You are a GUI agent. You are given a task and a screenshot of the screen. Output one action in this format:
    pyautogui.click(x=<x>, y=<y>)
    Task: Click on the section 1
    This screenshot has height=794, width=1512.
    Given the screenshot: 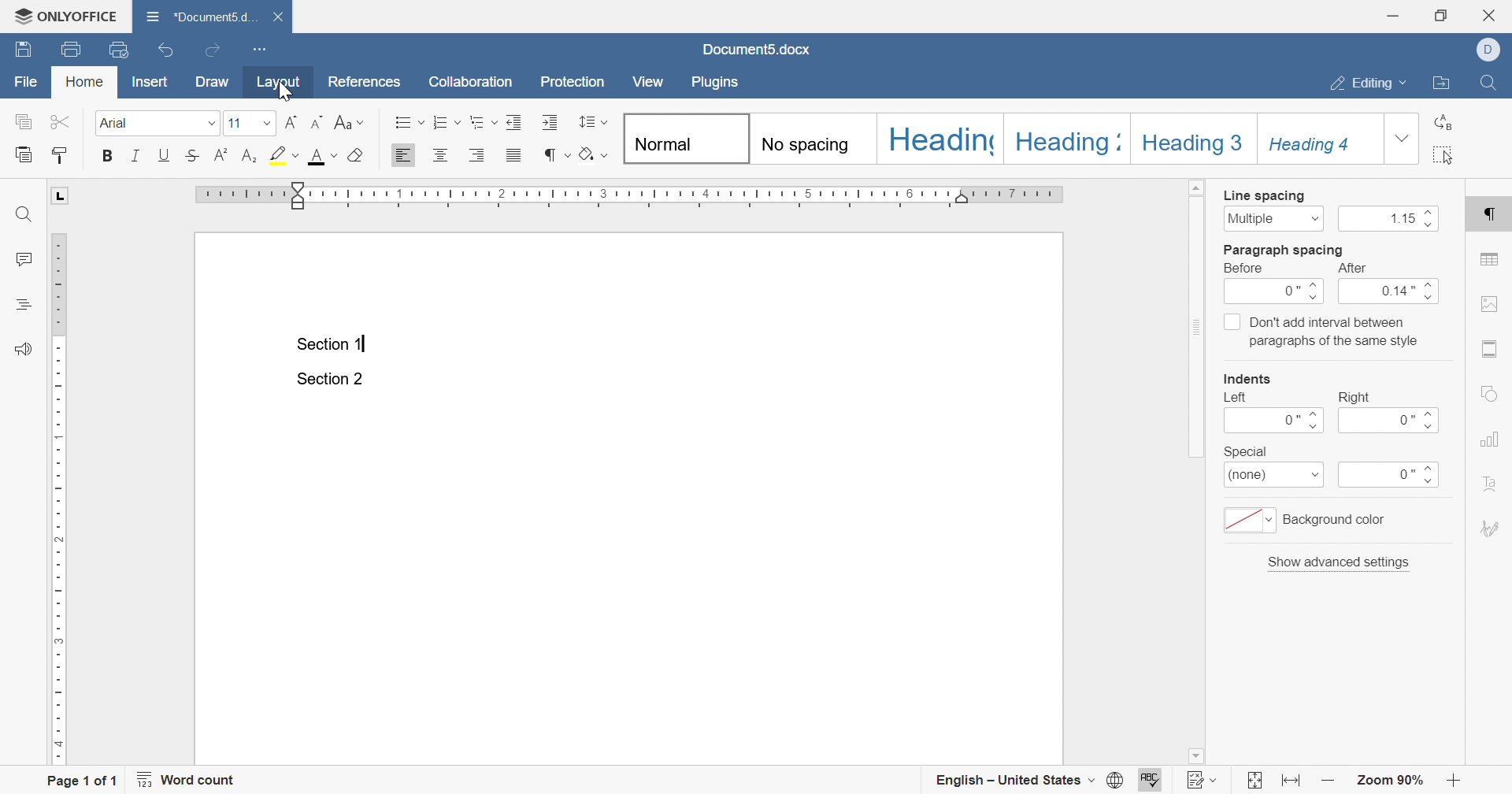 What is the action you would take?
    pyautogui.click(x=333, y=345)
    